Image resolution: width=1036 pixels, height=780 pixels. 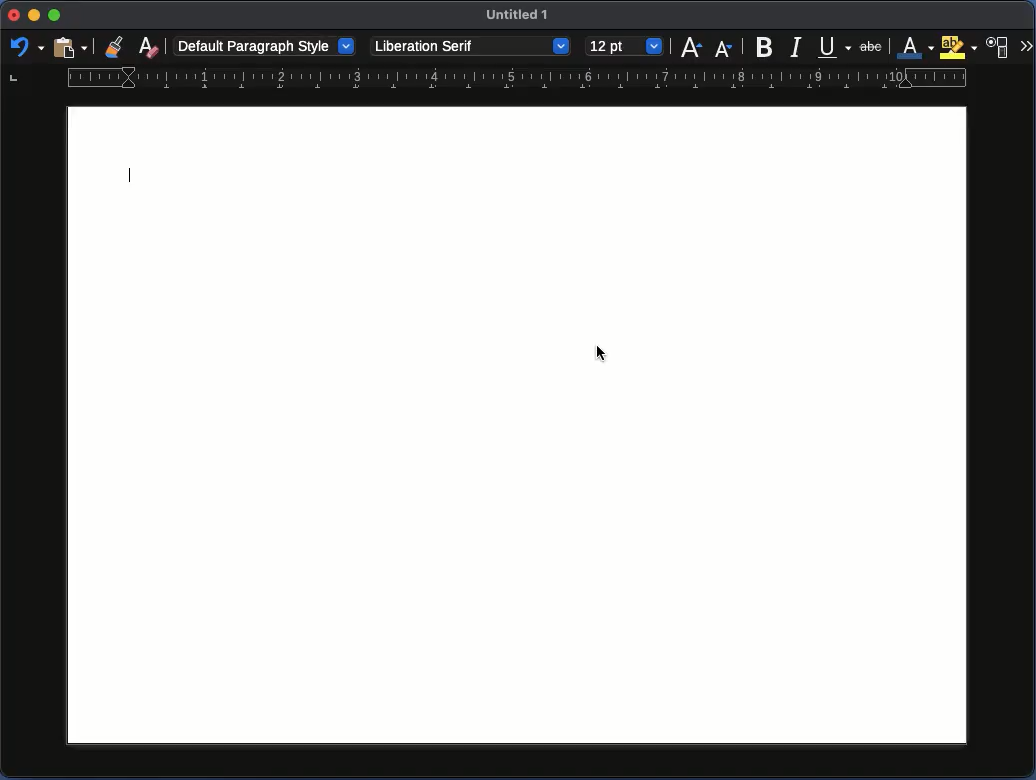 I want to click on Font style, so click(x=470, y=47).